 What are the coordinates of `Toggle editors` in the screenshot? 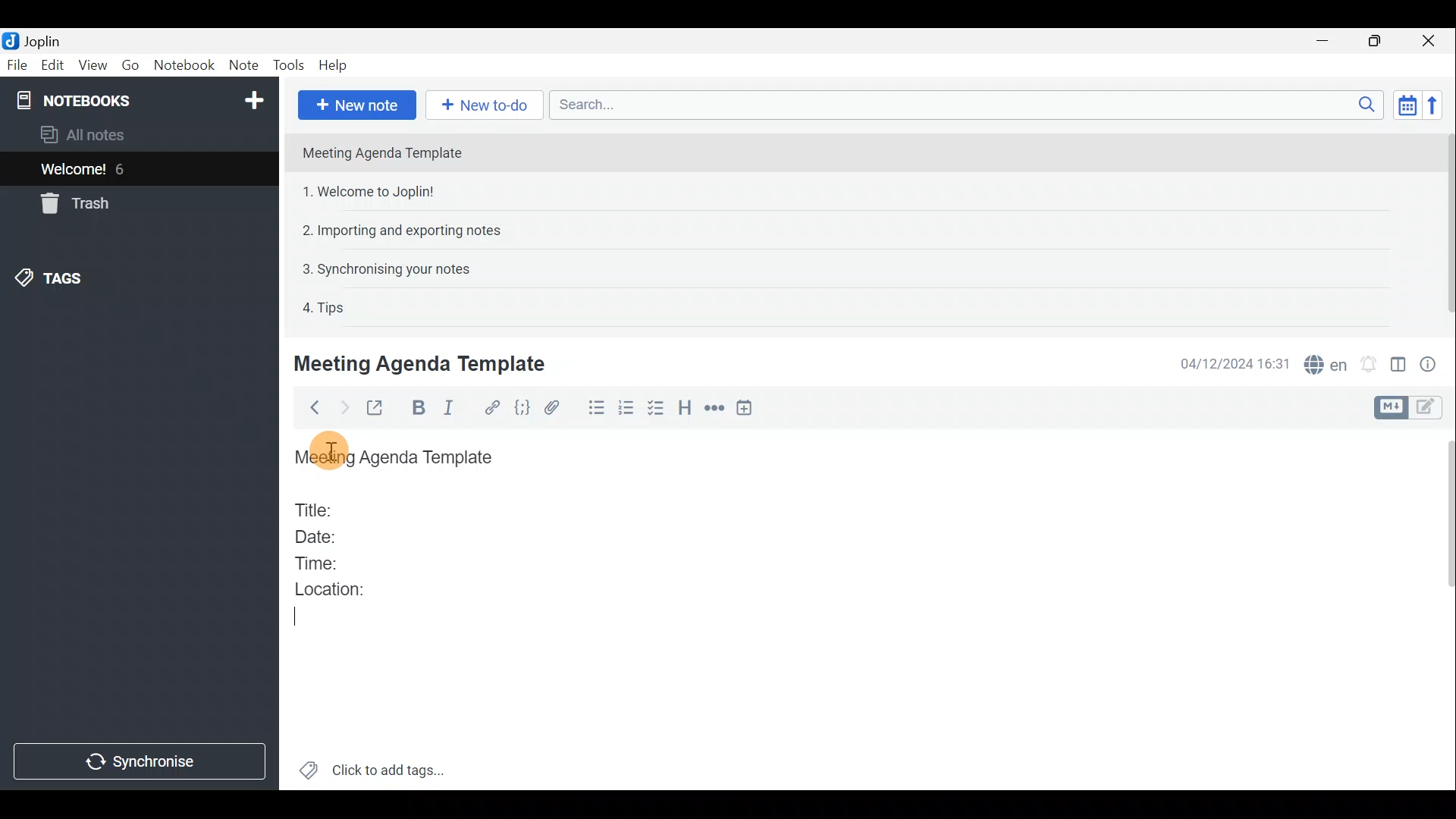 It's located at (1429, 409).